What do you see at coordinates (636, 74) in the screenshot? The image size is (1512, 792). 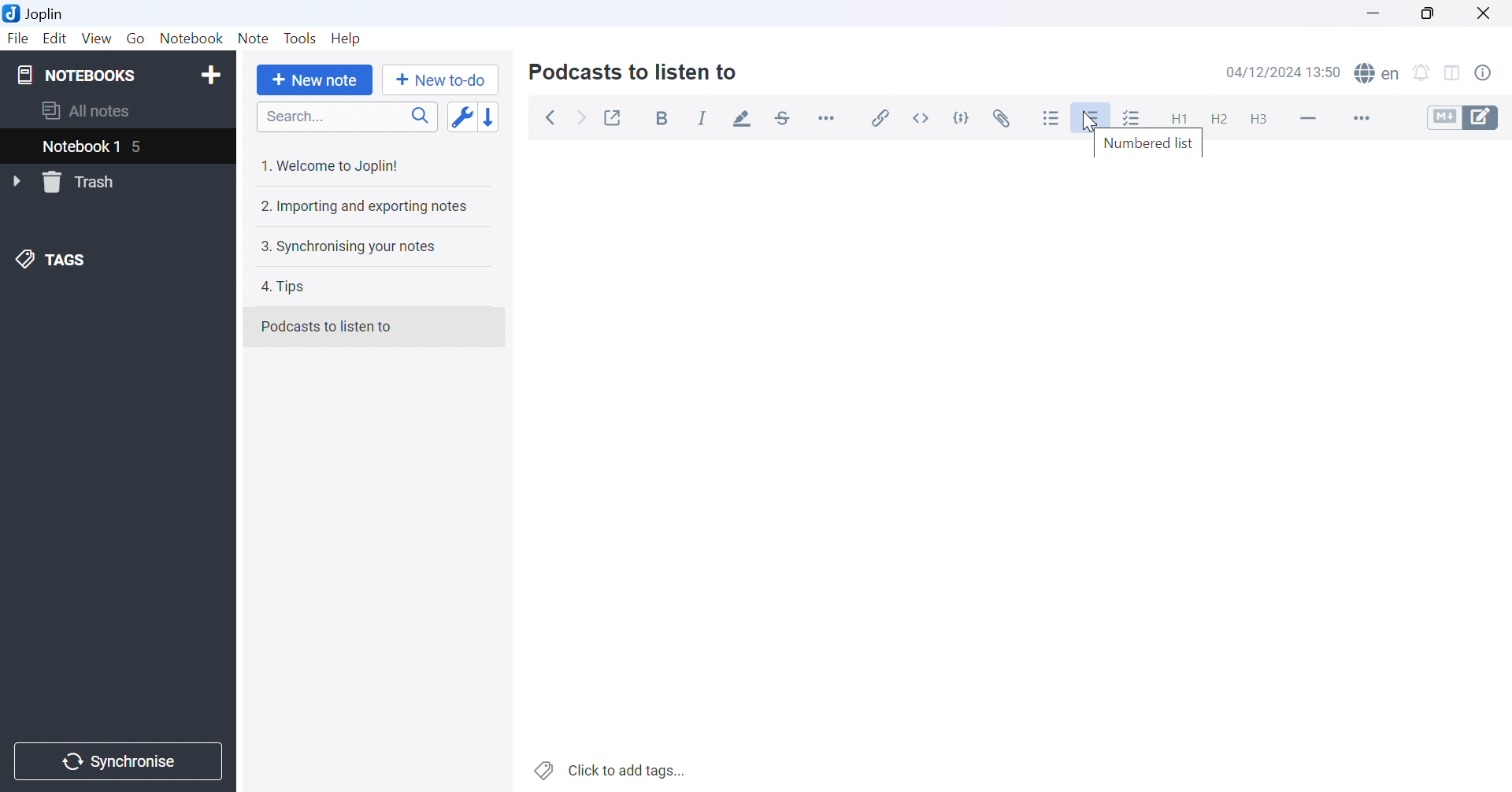 I see `Podcasts to listen to` at bounding box center [636, 74].